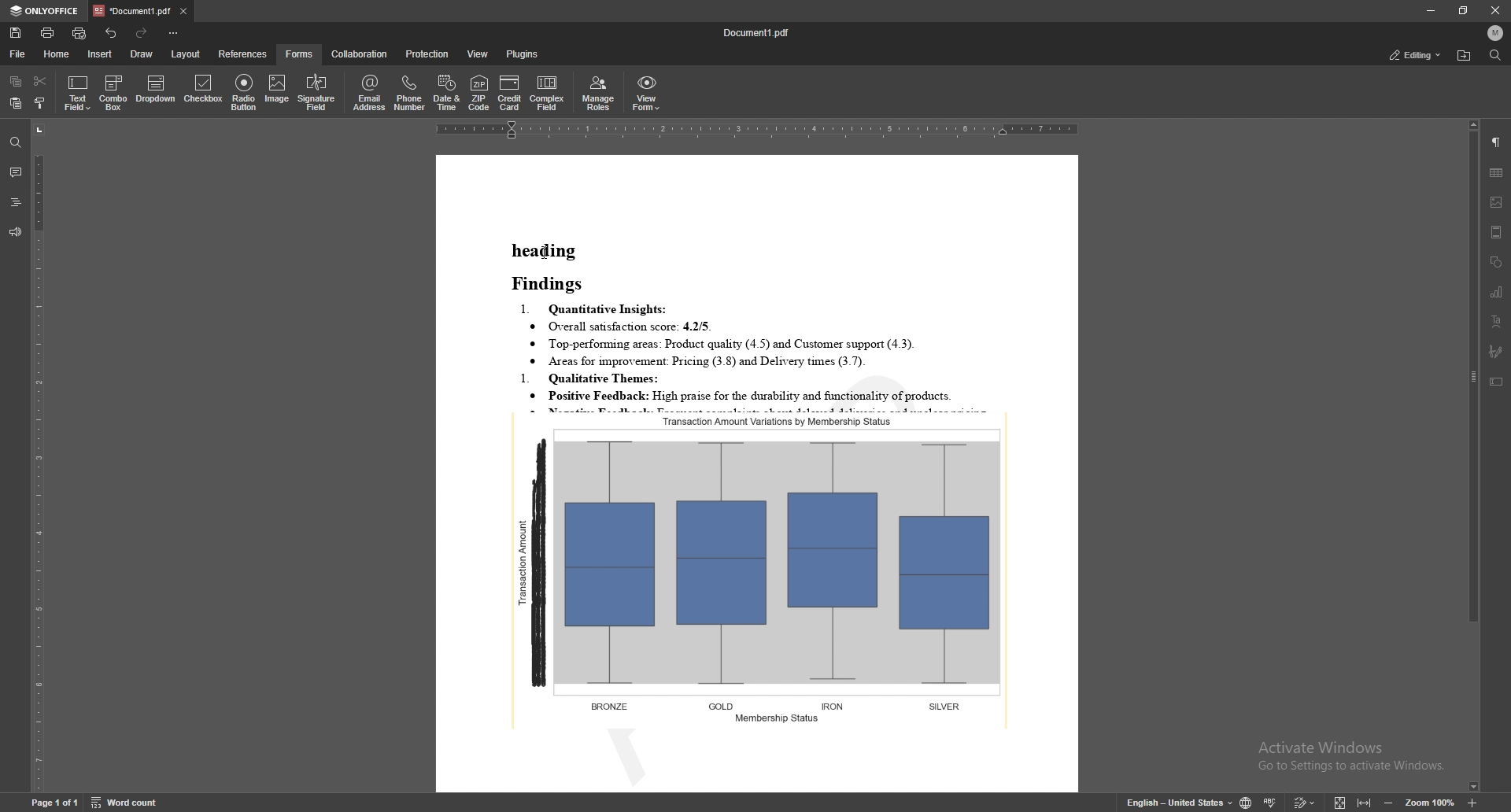  What do you see at coordinates (646, 94) in the screenshot?
I see `view form` at bounding box center [646, 94].